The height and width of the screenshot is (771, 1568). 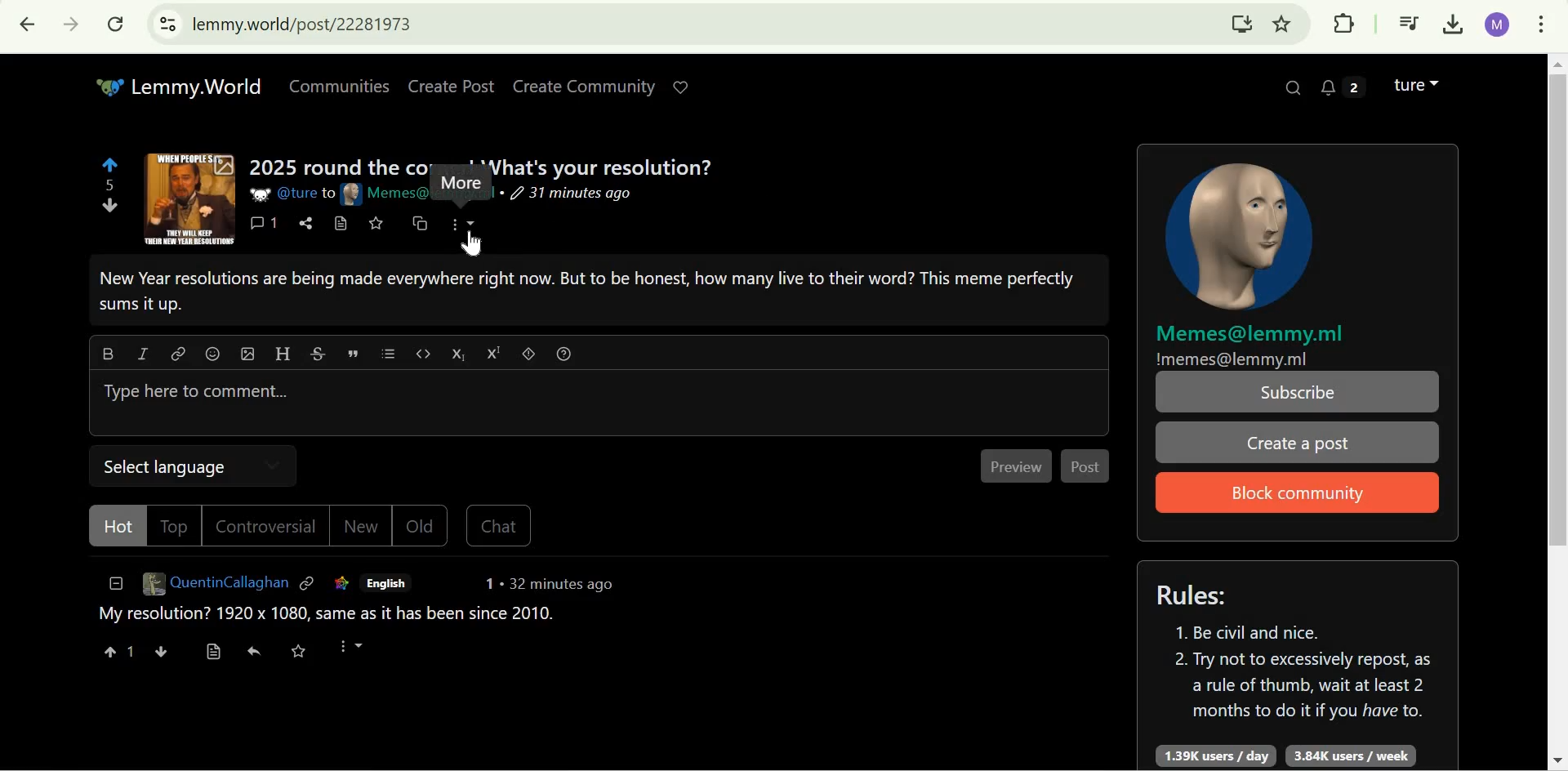 What do you see at coordinates (1416, 85) in the screenshot?
I see `Lemmy account` at bounding box center [1416, 85].